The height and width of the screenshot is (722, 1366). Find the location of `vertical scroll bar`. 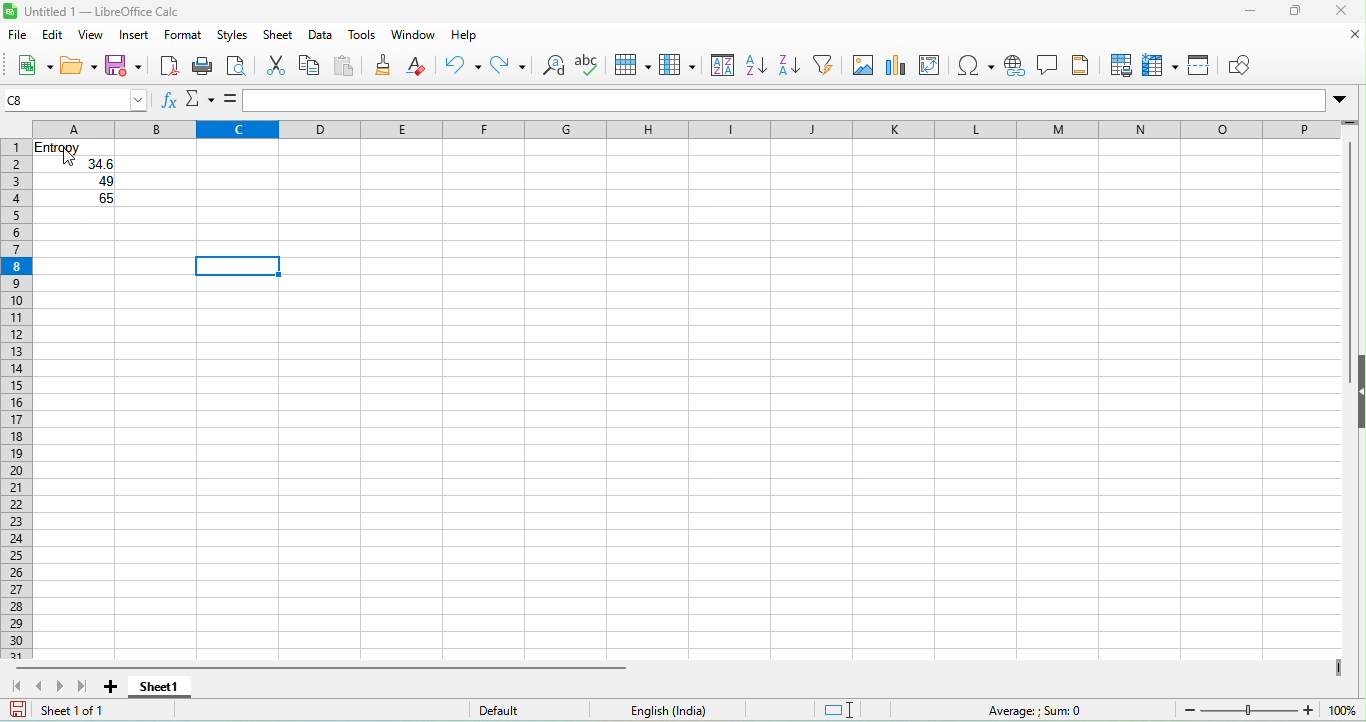

vertical scroll bar is located at coordinates (1353, 237).